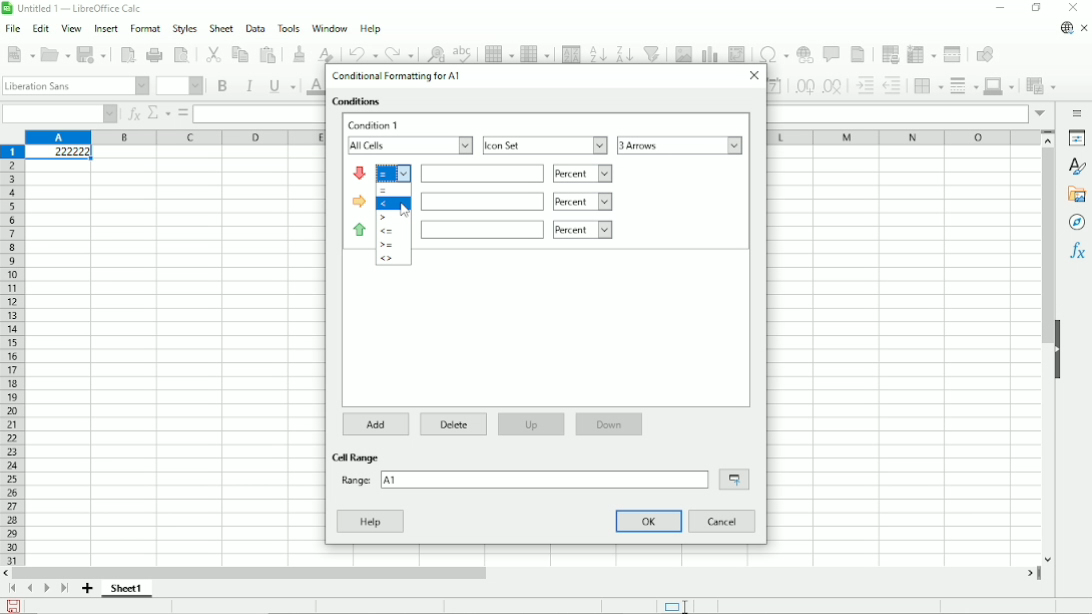  Describe the element at coordinates (88, 589) in the screenshot. I see `Add sheet` at that location.